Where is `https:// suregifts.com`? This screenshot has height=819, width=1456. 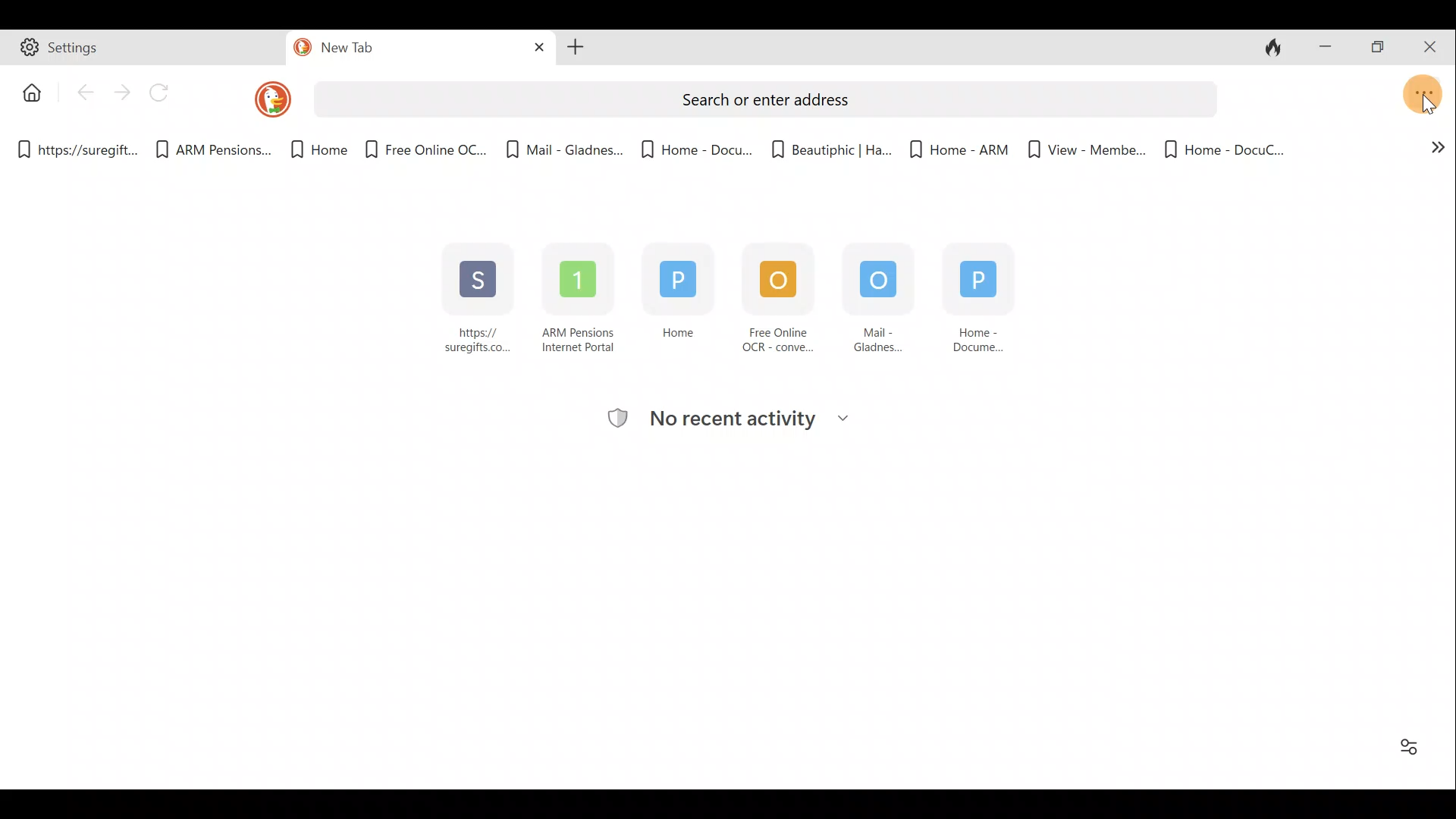 https:// suregifts.com is located at coordinates (479, 296).